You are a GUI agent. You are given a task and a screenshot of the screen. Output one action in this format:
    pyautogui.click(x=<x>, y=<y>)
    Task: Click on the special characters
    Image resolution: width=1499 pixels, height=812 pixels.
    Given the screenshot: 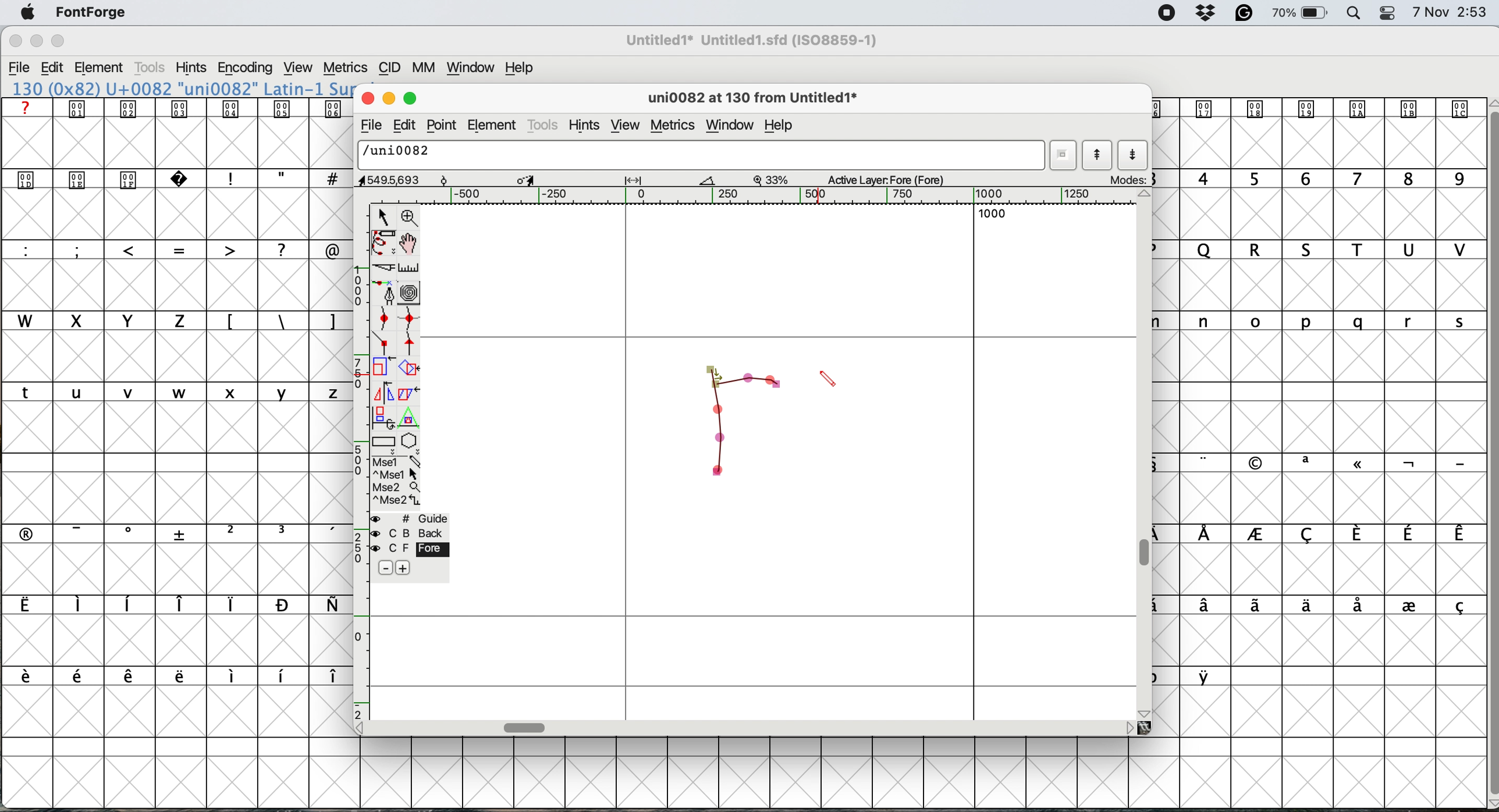 What is the action you would take?
    pyautogui.click(x=278, y=320)
    